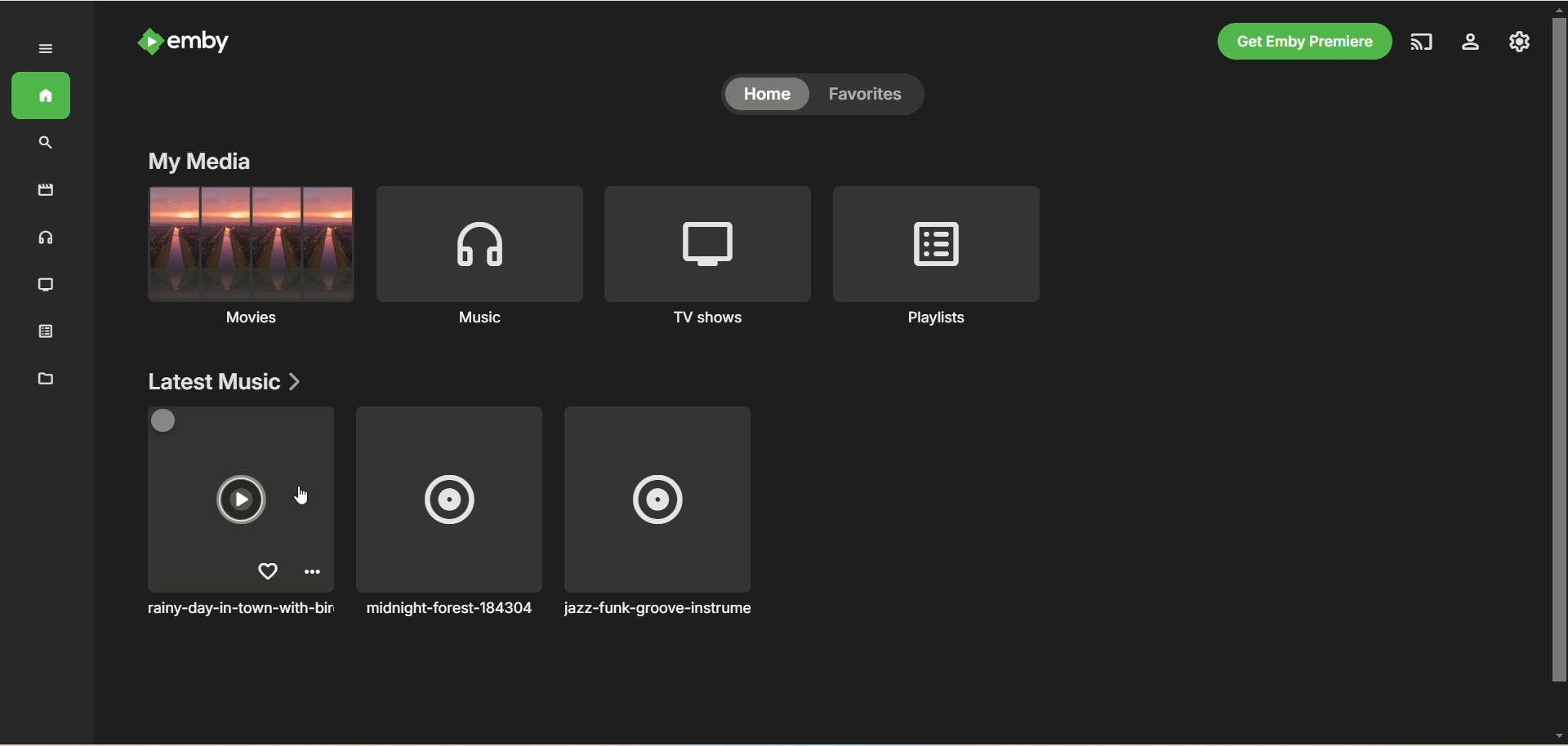 Image resolution: width=1568 pixels, height=746 pixels. Describe the element at coordinates (222, 380) in the screenshot. I see `latest music` at that location.